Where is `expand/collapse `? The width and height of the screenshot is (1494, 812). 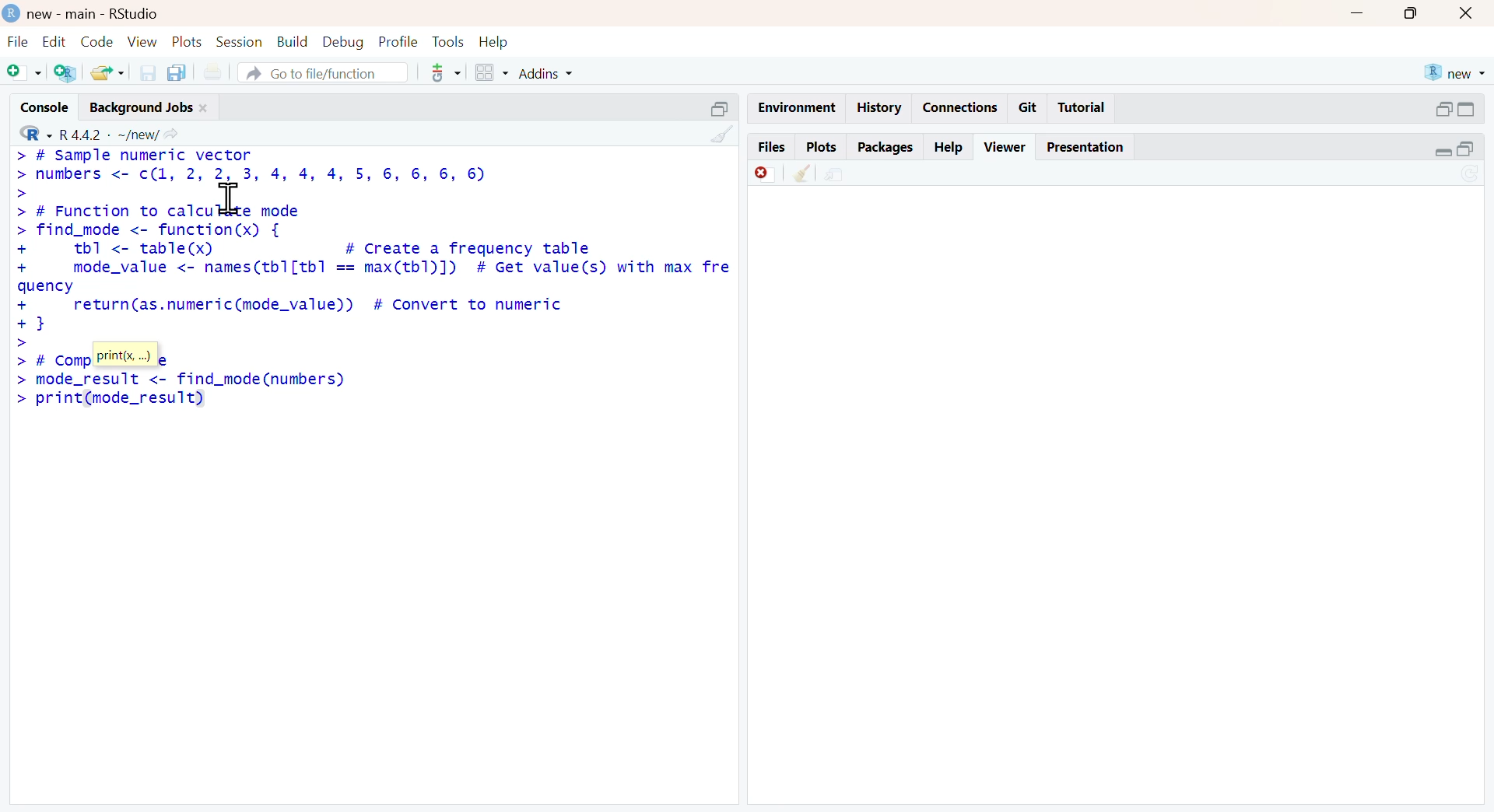 expand/collapse  is located at coordinates (1466, 109).